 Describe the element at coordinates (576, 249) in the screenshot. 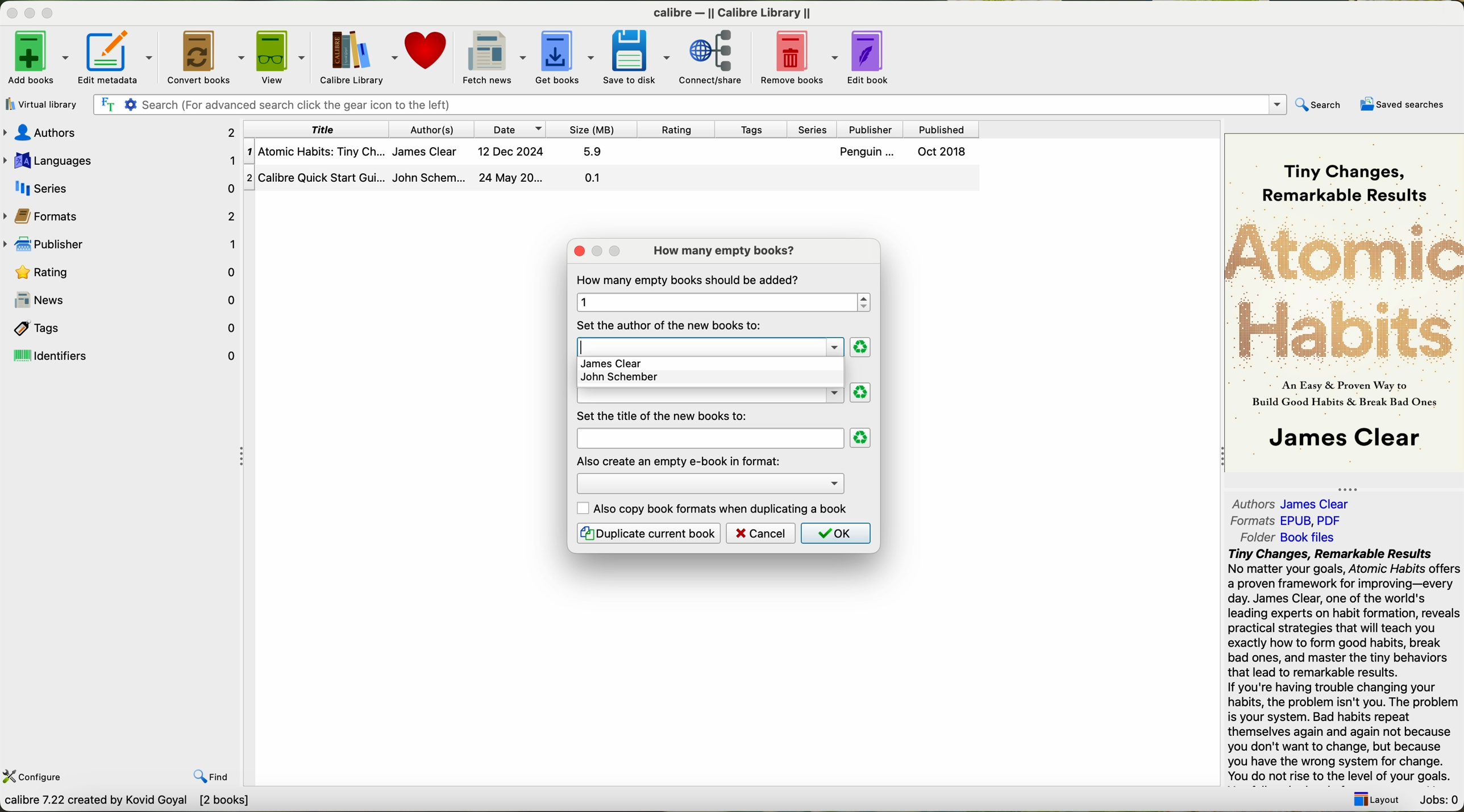

I see `close popup` at that location.